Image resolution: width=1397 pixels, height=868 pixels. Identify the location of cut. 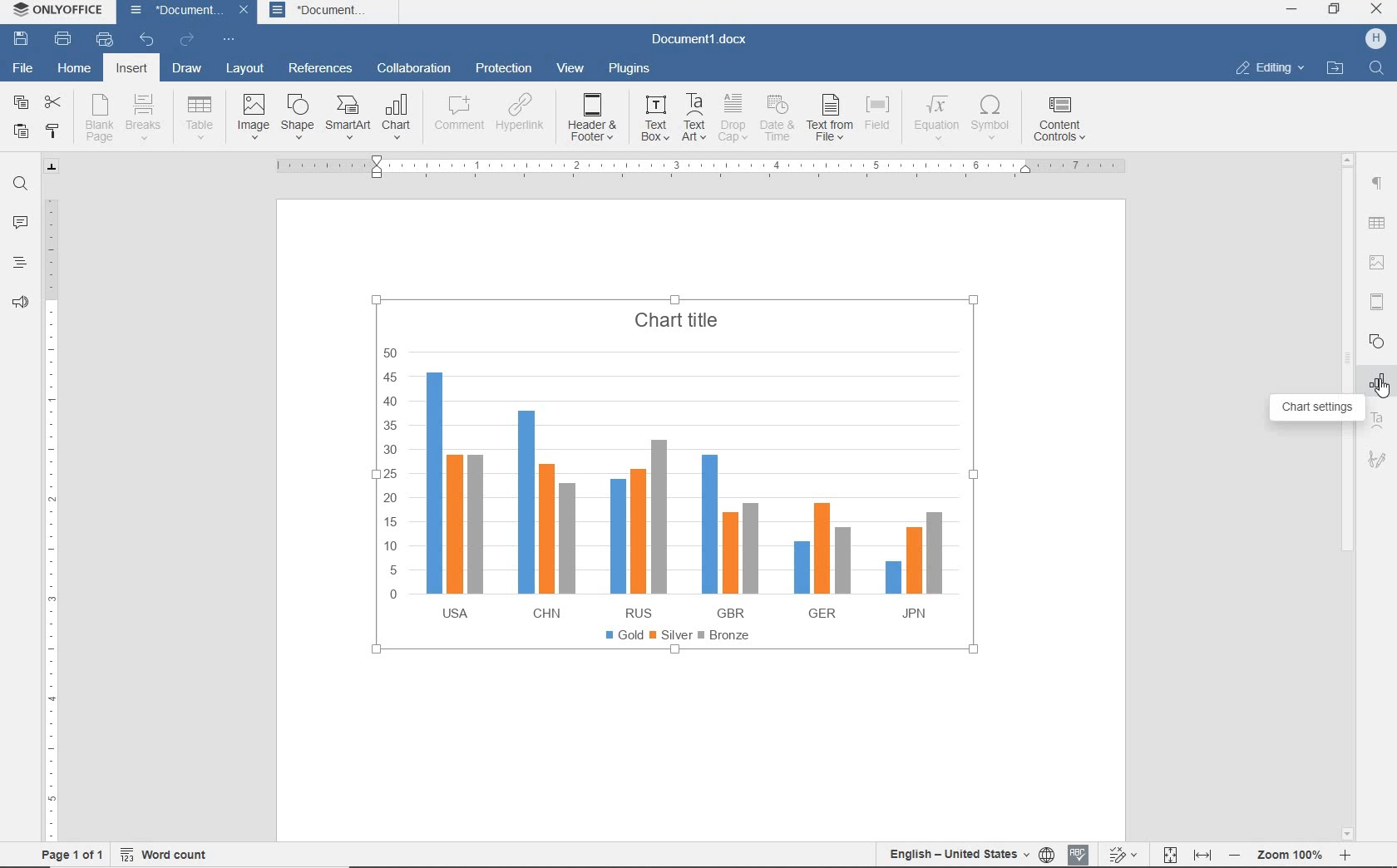
(54, 101).